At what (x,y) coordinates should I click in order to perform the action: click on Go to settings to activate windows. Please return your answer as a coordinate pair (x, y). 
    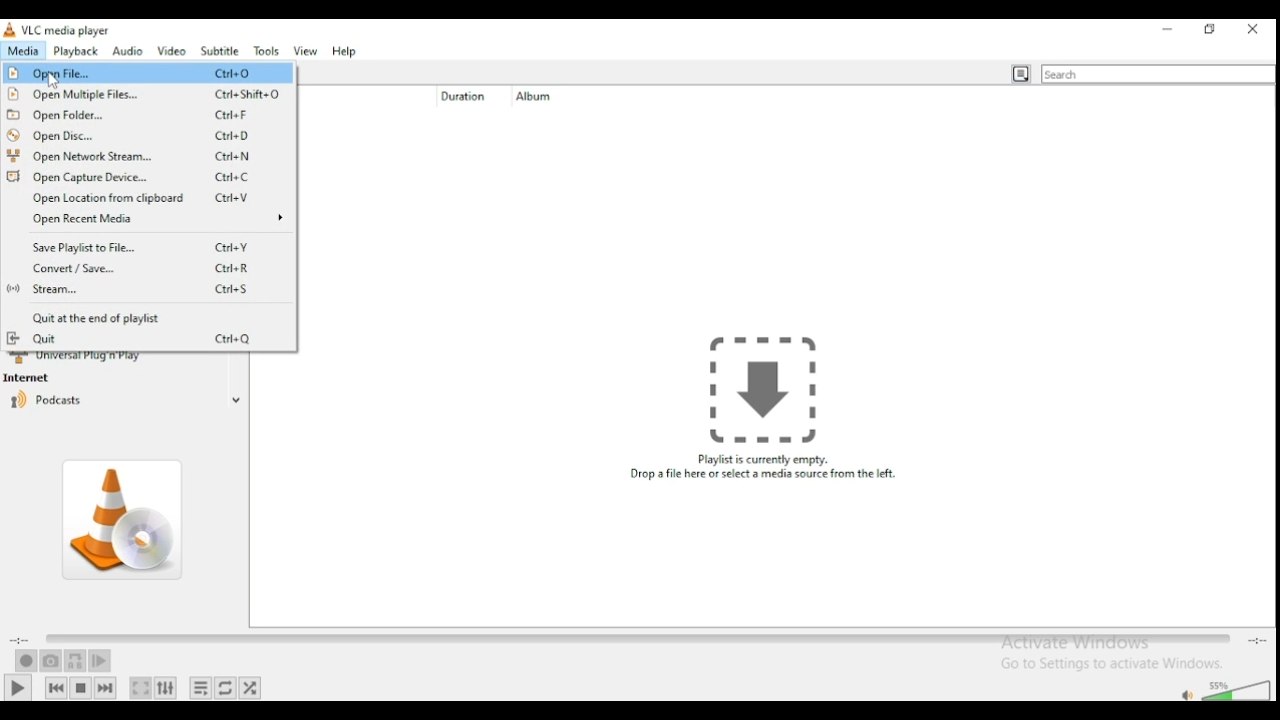
    Looking at the image, I should click on (1112, 663).